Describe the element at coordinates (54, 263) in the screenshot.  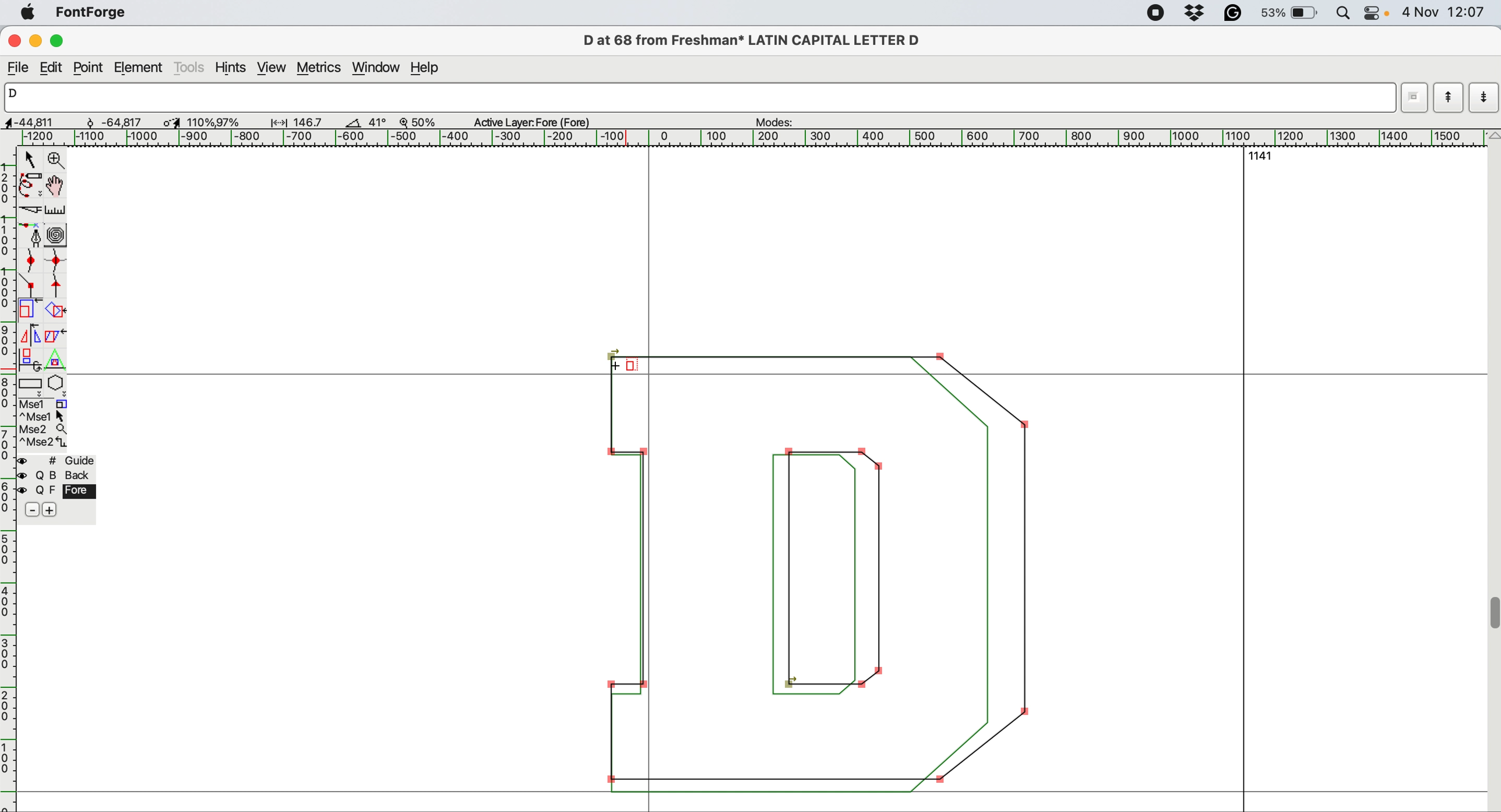
I see `add a curve point horizontally or vertically` at that location.